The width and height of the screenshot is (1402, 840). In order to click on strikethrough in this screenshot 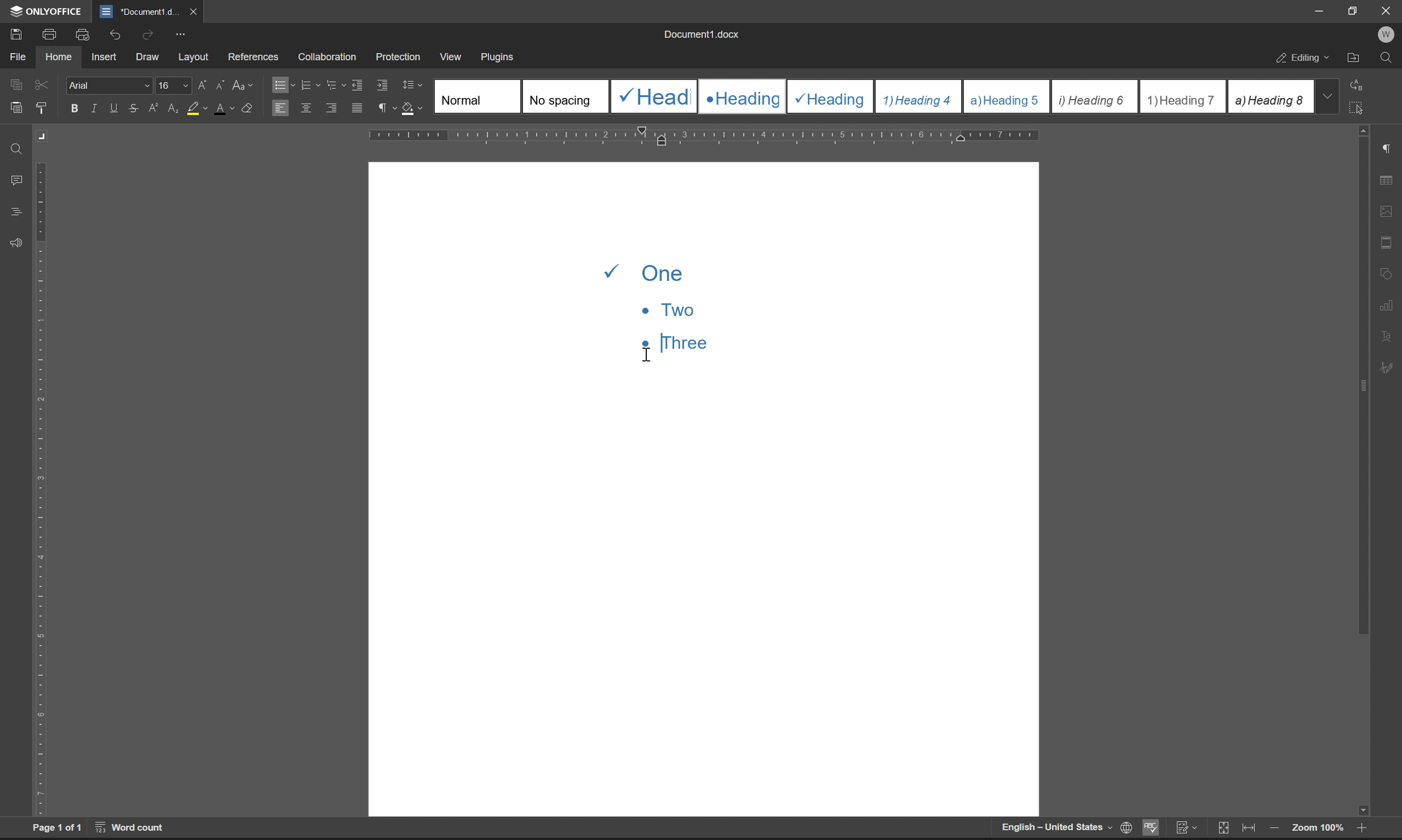, I will do `click(135, 108)`.